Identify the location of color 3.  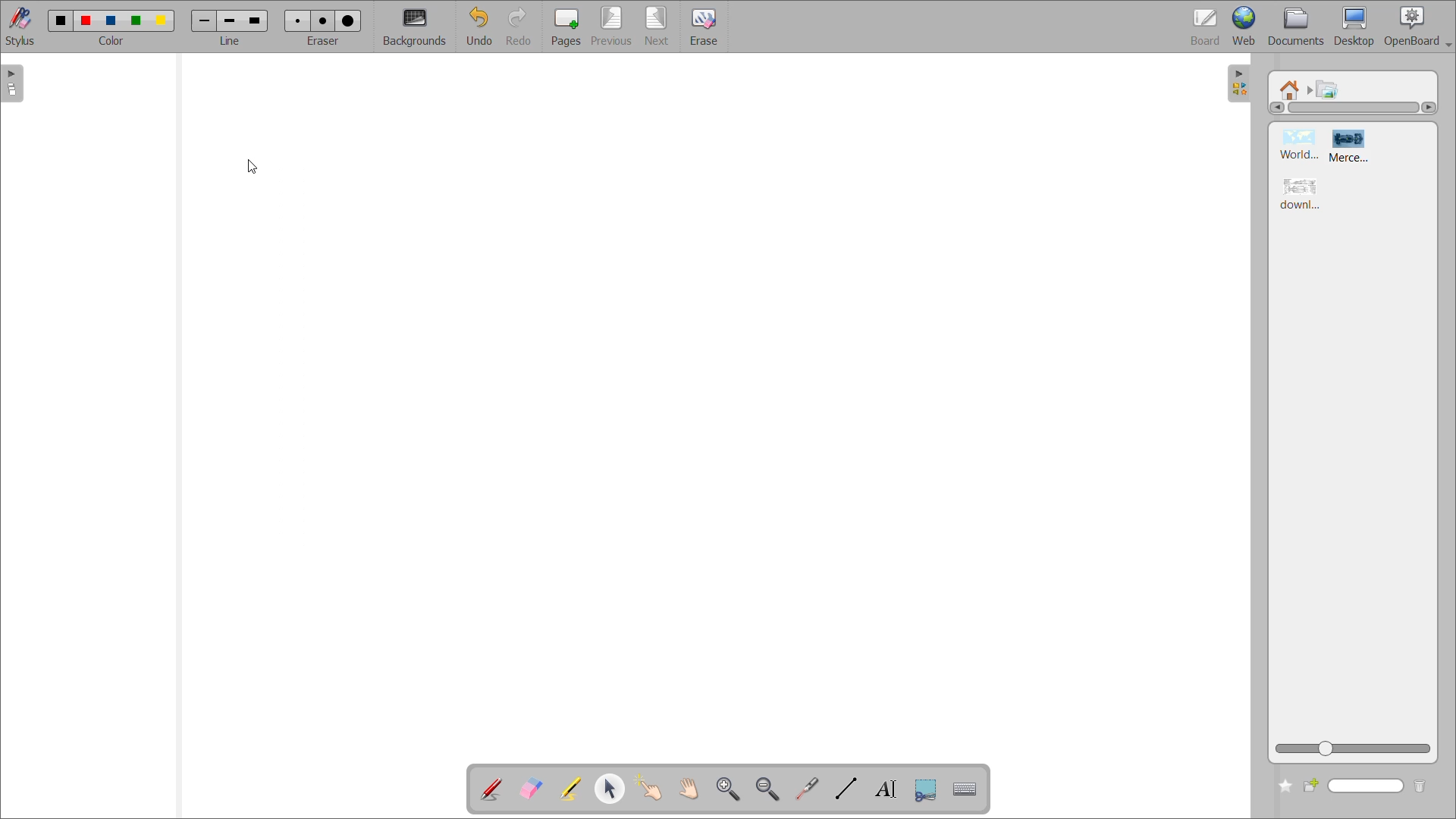
(113, 22).